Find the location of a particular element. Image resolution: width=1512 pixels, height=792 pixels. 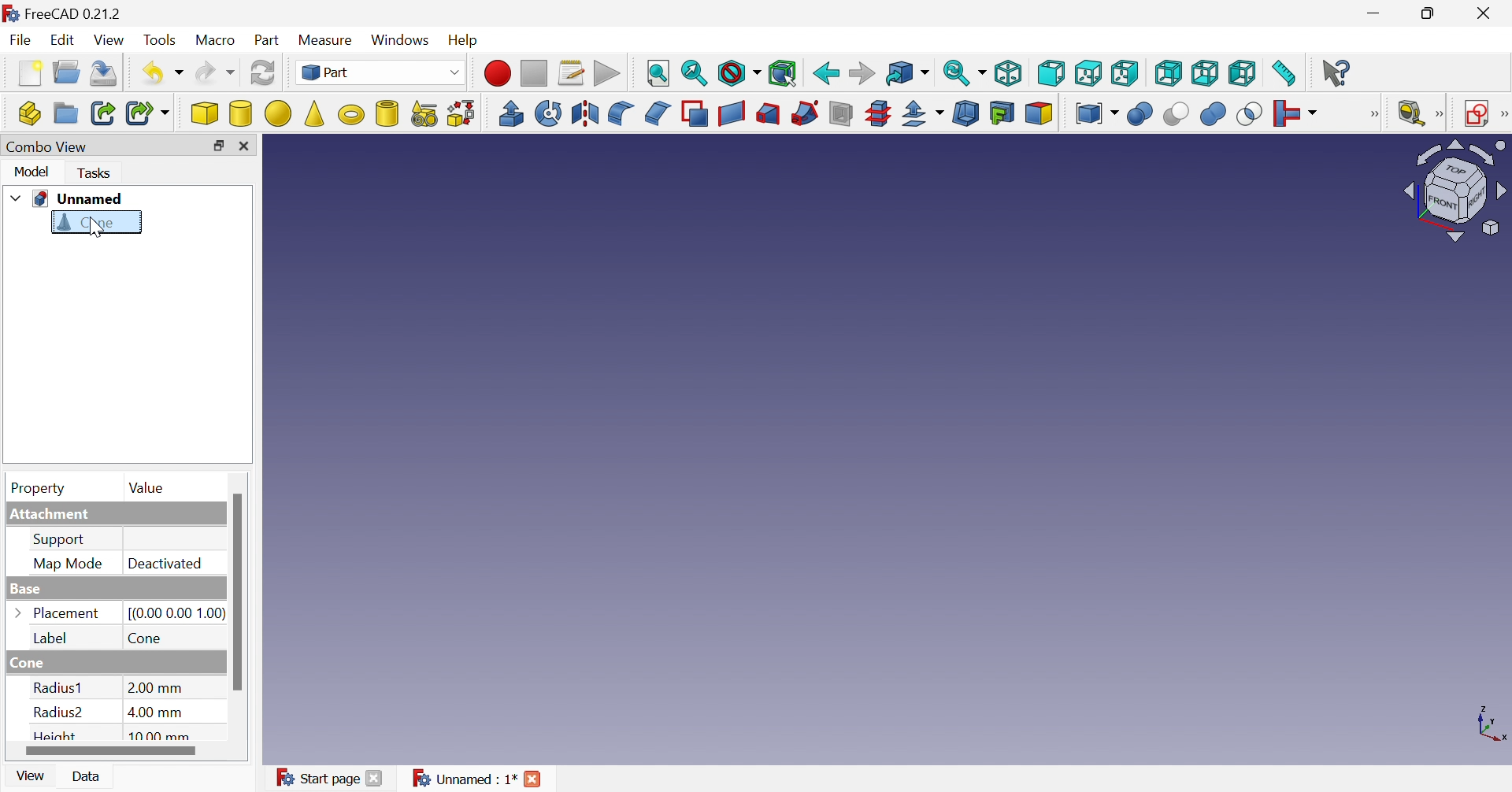

Sync view is located at coordinates (962, 74).